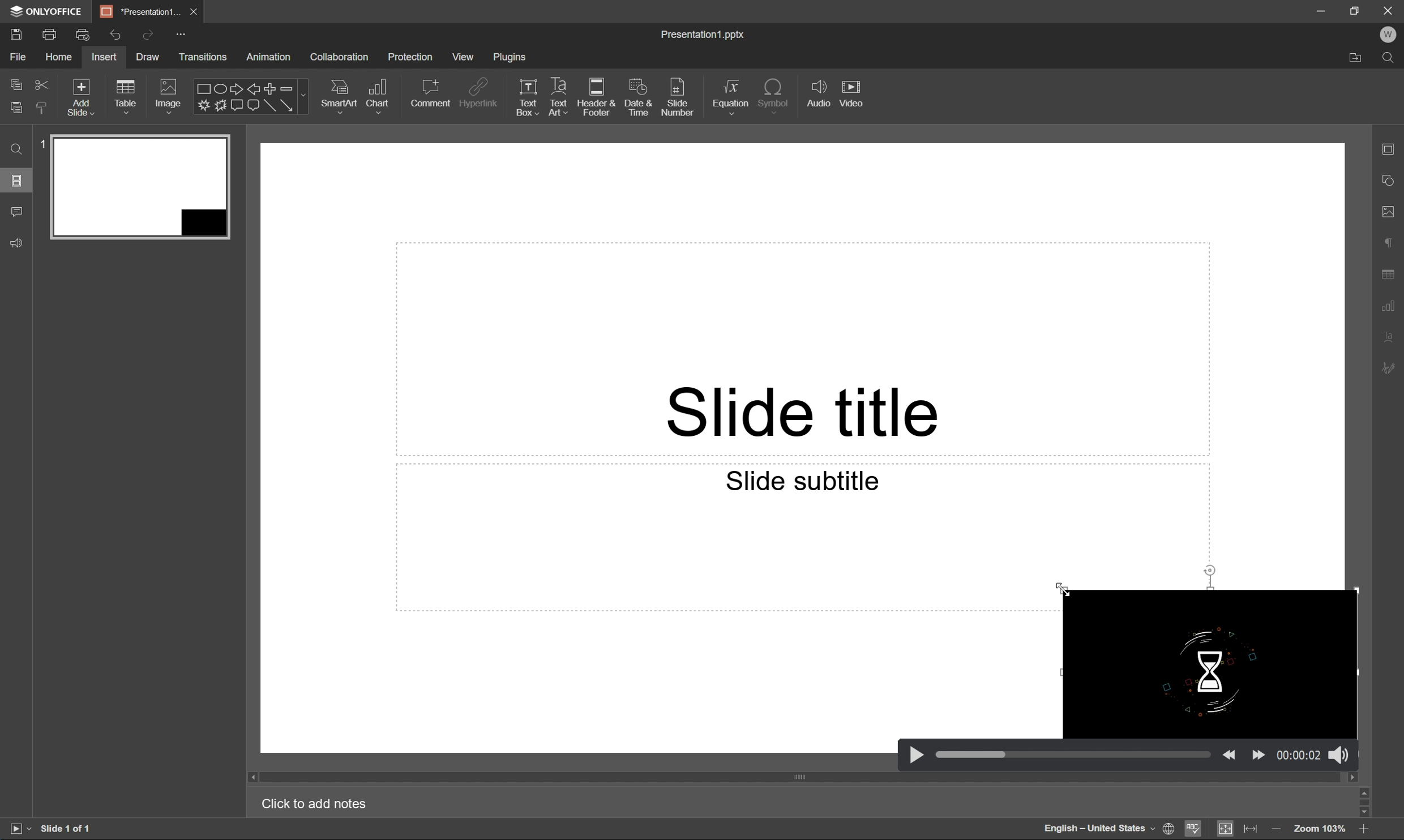 This screenshot has width=1404, height=840. What do you see at coordinates (1391, 147) in the screenshot?
I see `slide settings` at bounding box center [1391, 147].